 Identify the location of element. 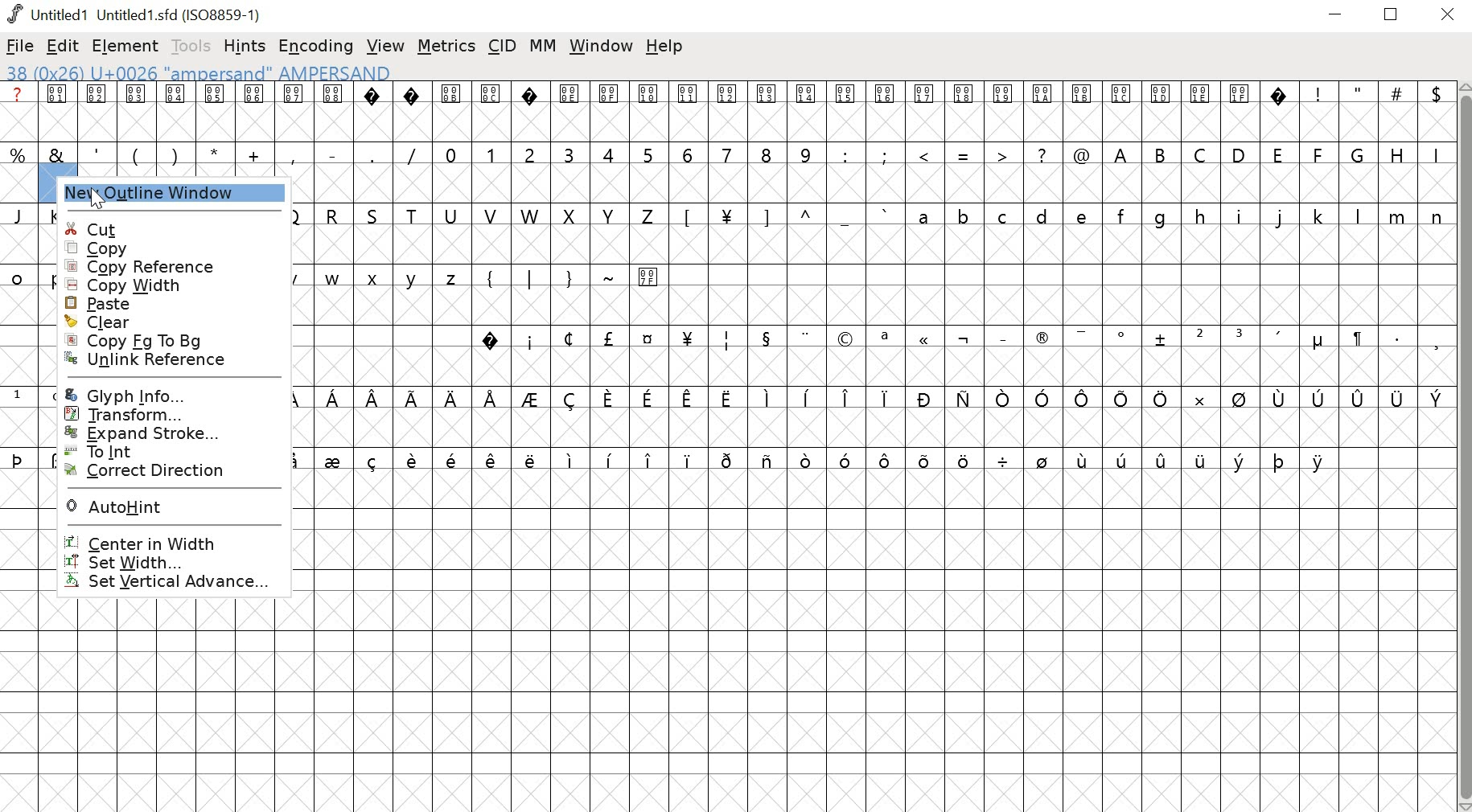
(127, 45).